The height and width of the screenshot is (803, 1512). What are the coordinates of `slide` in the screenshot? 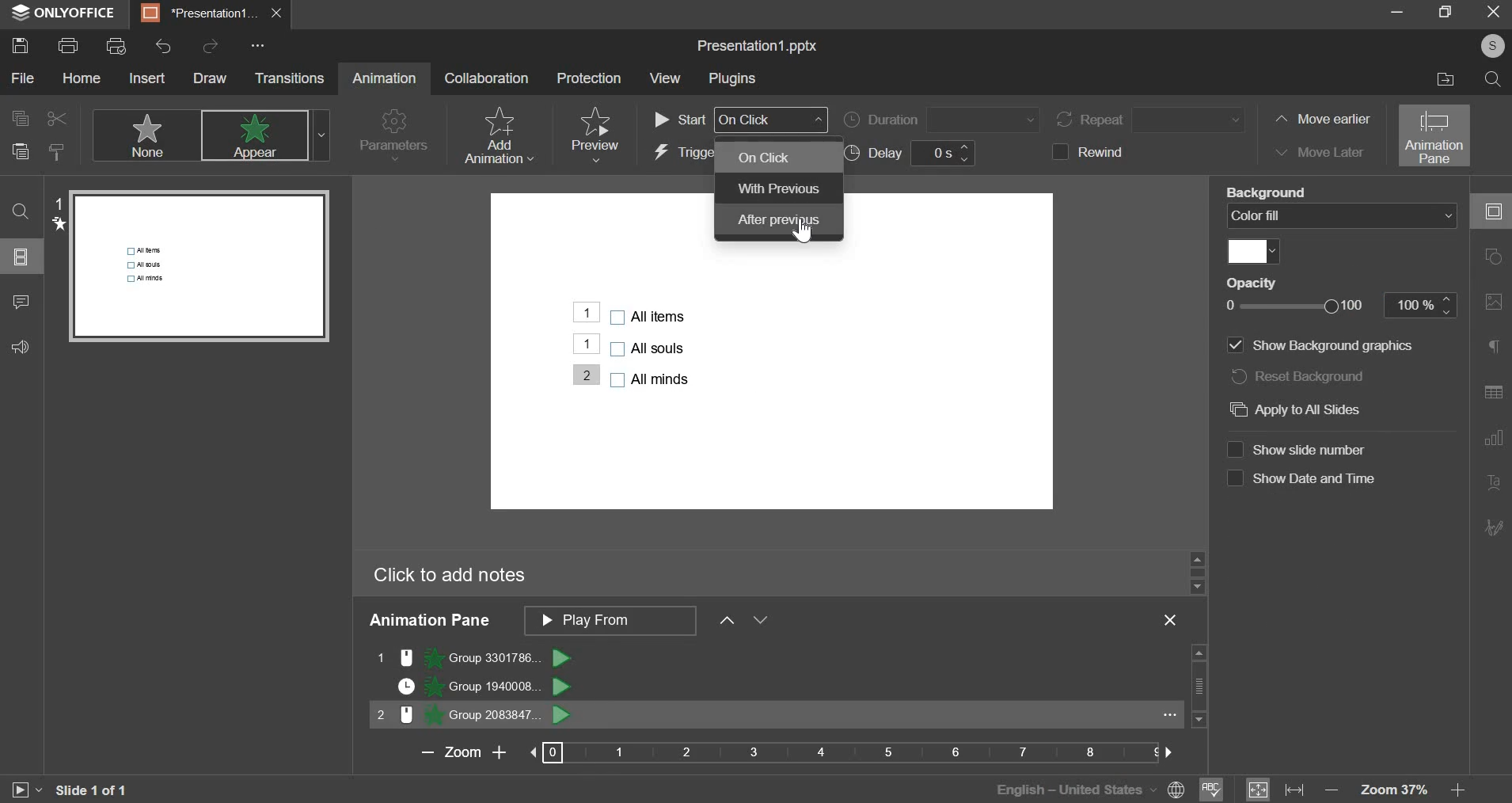 It's located at (23, 257).